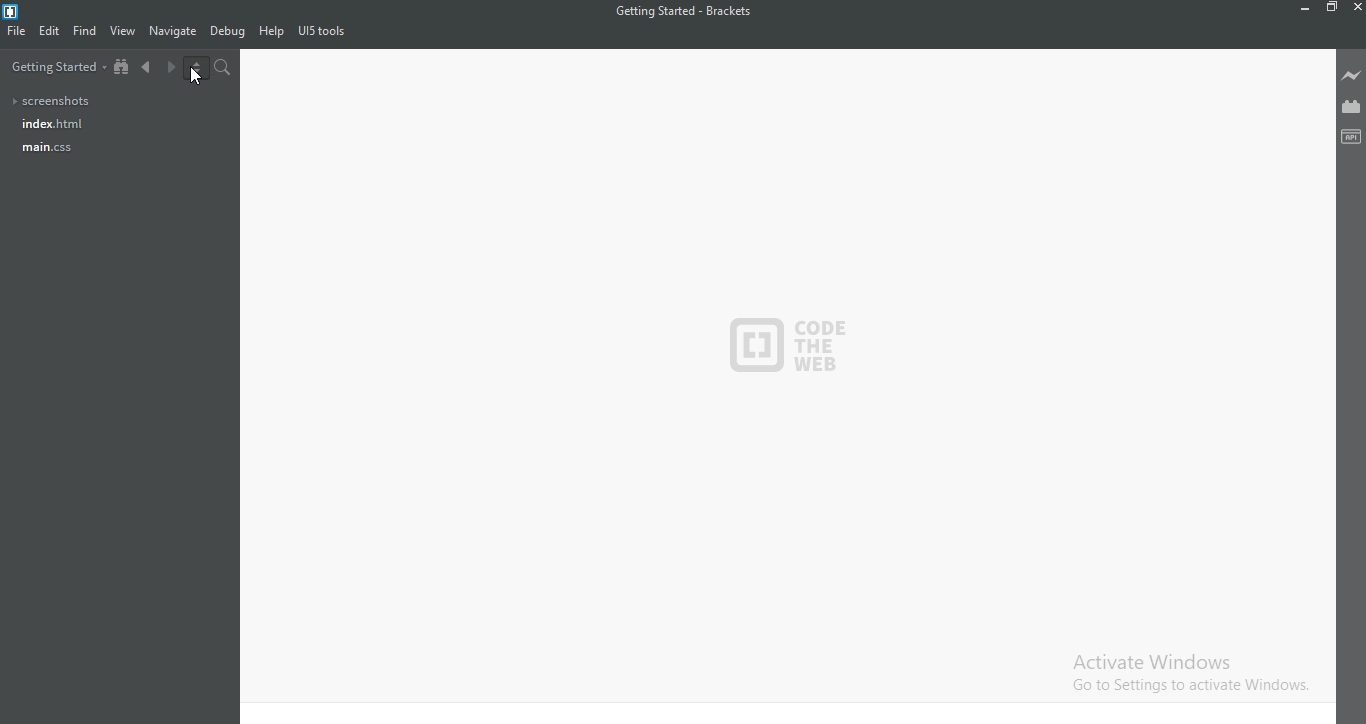 The image size is (1366, 724). I want to click on Split the editor vertically or horizontally, so click(197, 69).